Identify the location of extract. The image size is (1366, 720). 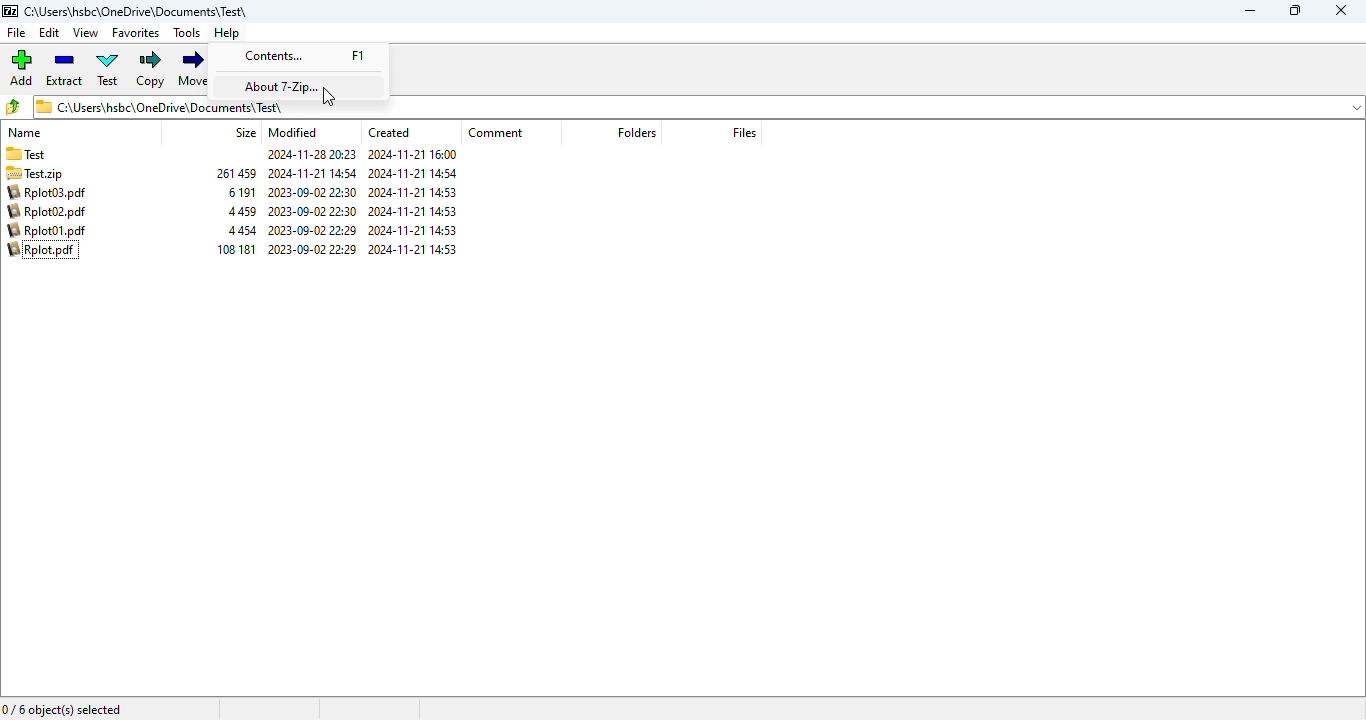
(64, 68).